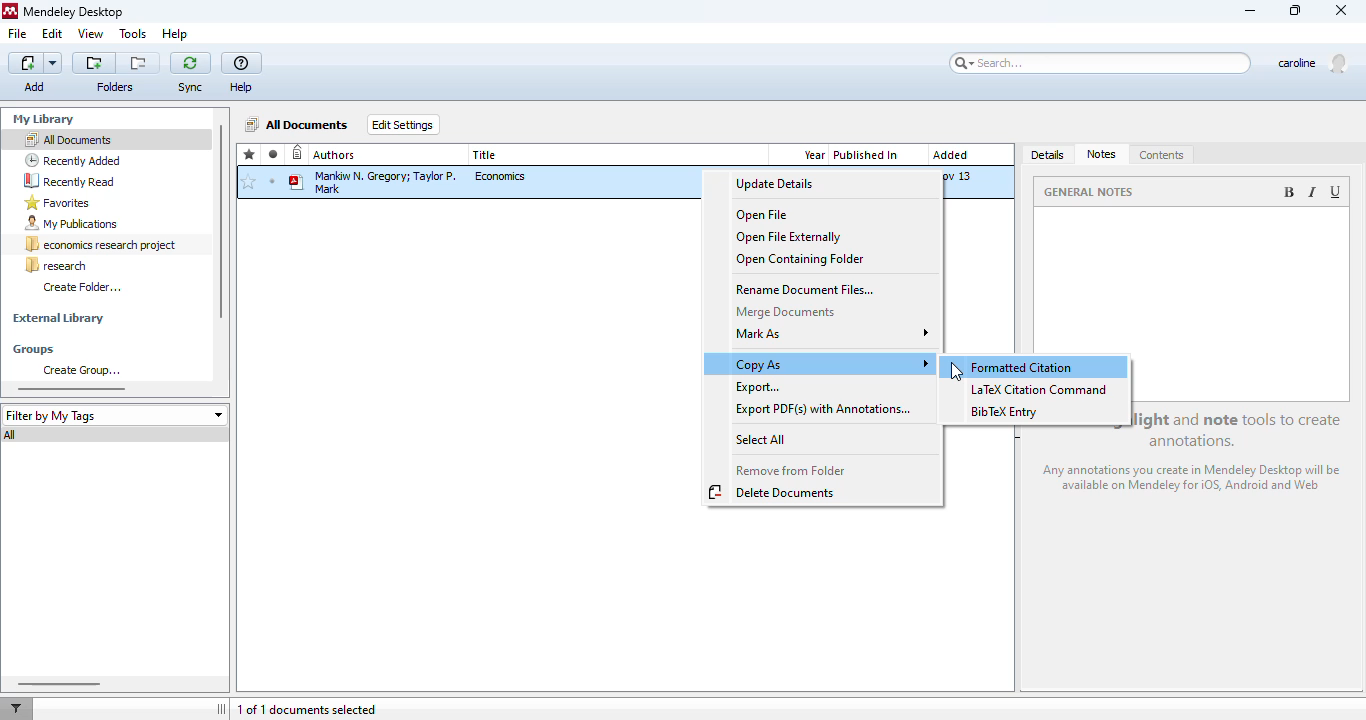  Describe the element at coordinates (1337, 192) in the screenshot. I see `underlined` at that location.